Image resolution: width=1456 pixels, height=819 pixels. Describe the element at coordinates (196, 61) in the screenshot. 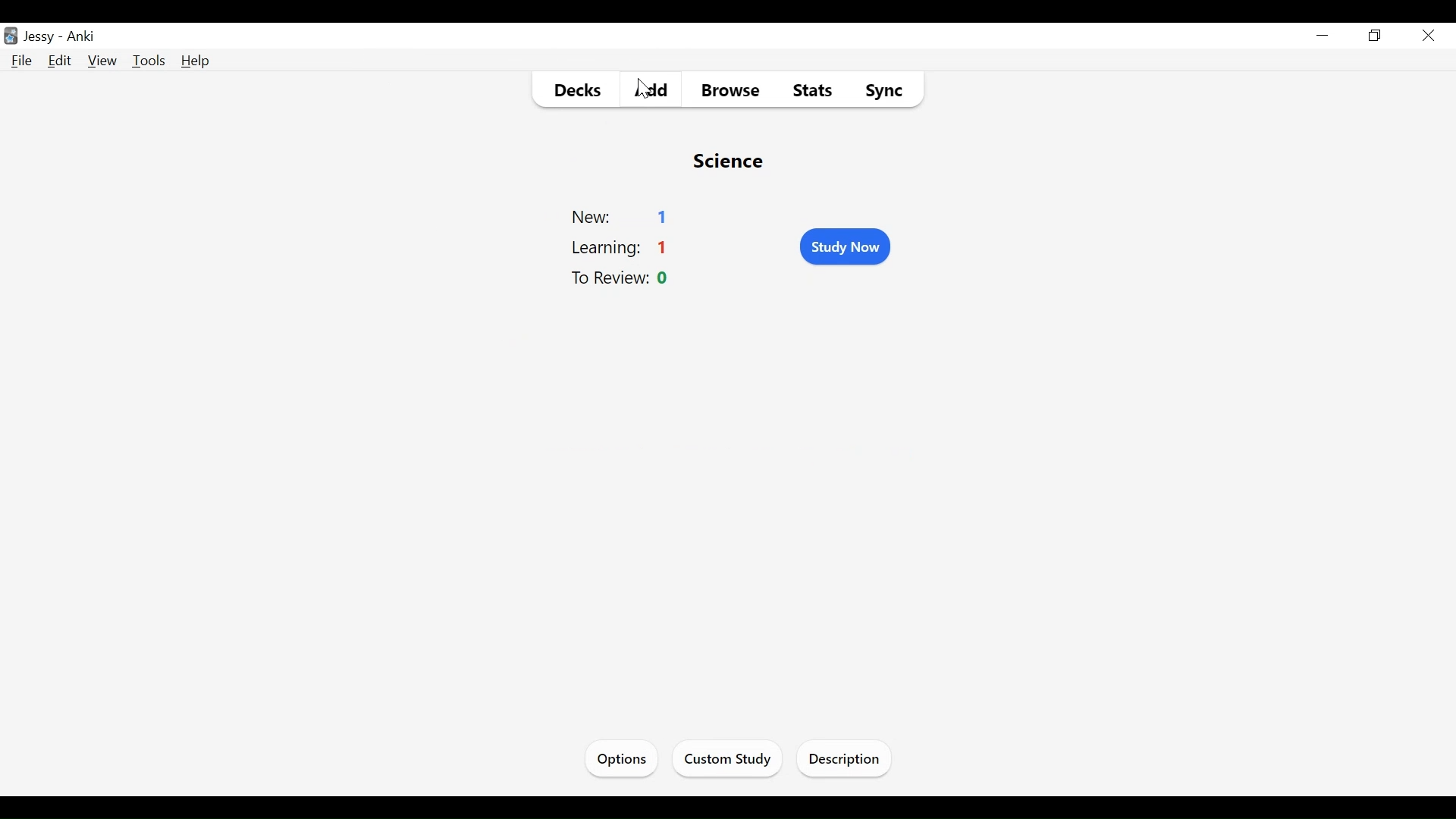

I see `Help` at that location.